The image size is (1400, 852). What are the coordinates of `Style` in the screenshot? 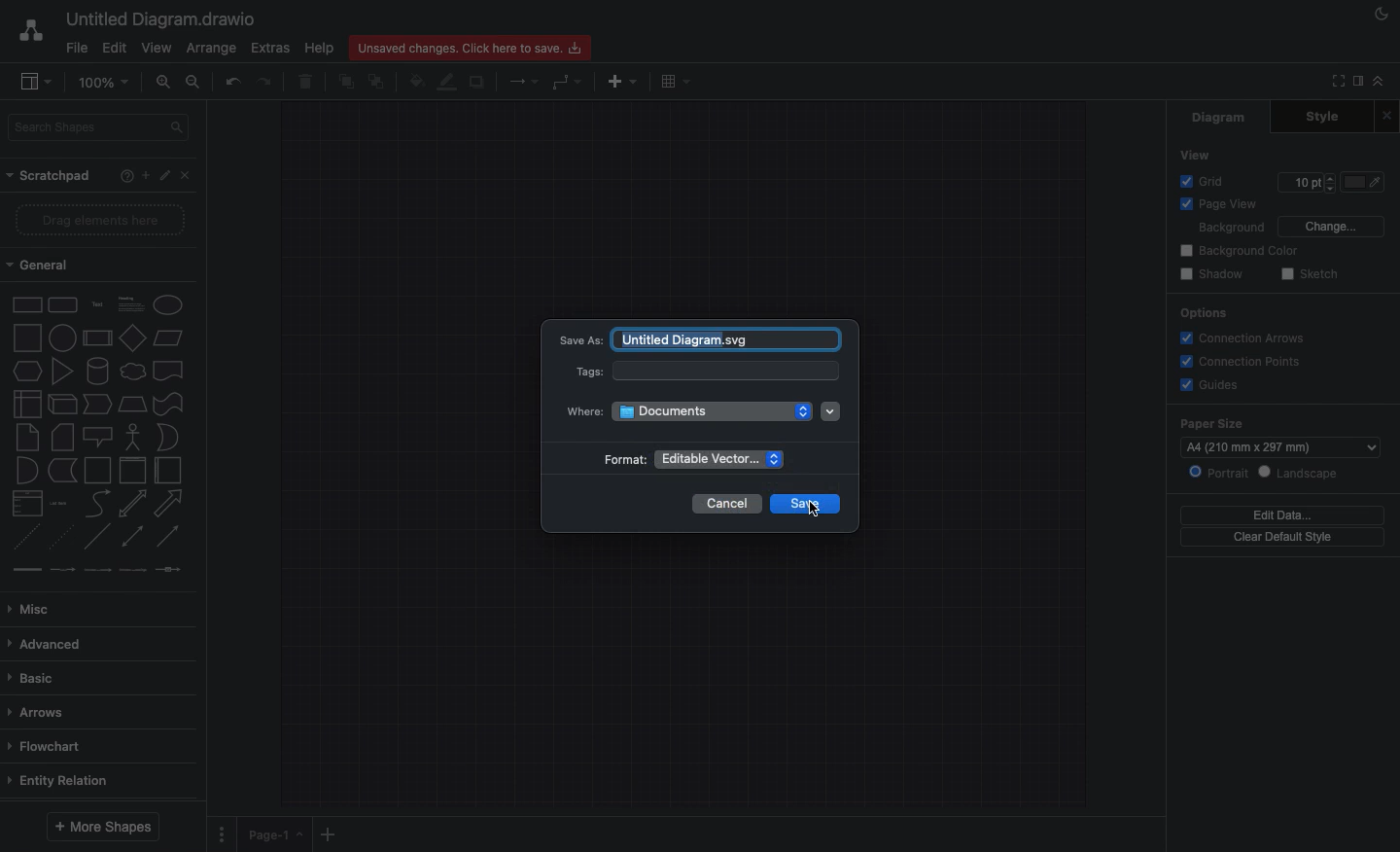 It's located at (1334, 117).